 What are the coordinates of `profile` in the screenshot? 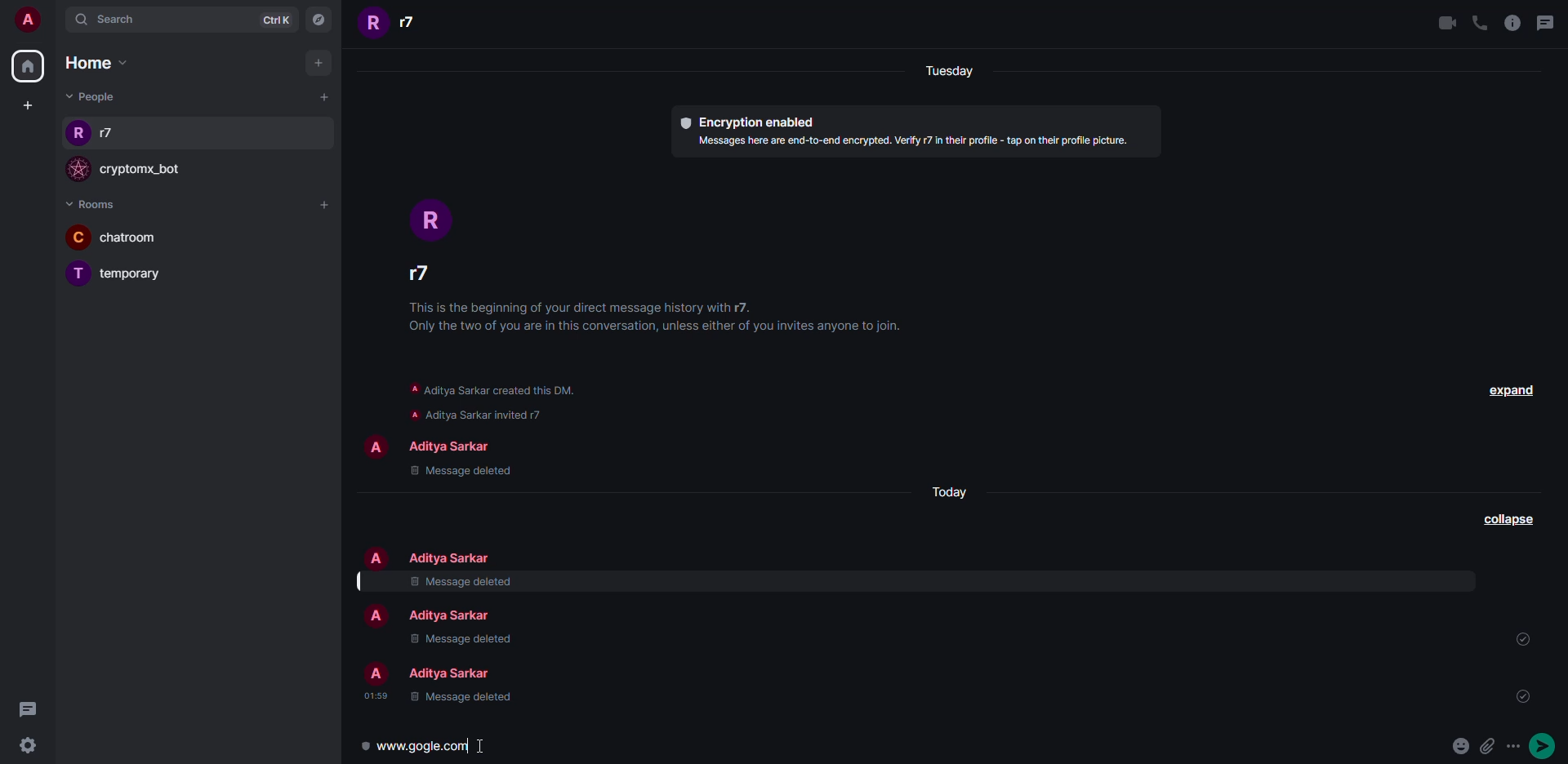 It's located at (77, 132).